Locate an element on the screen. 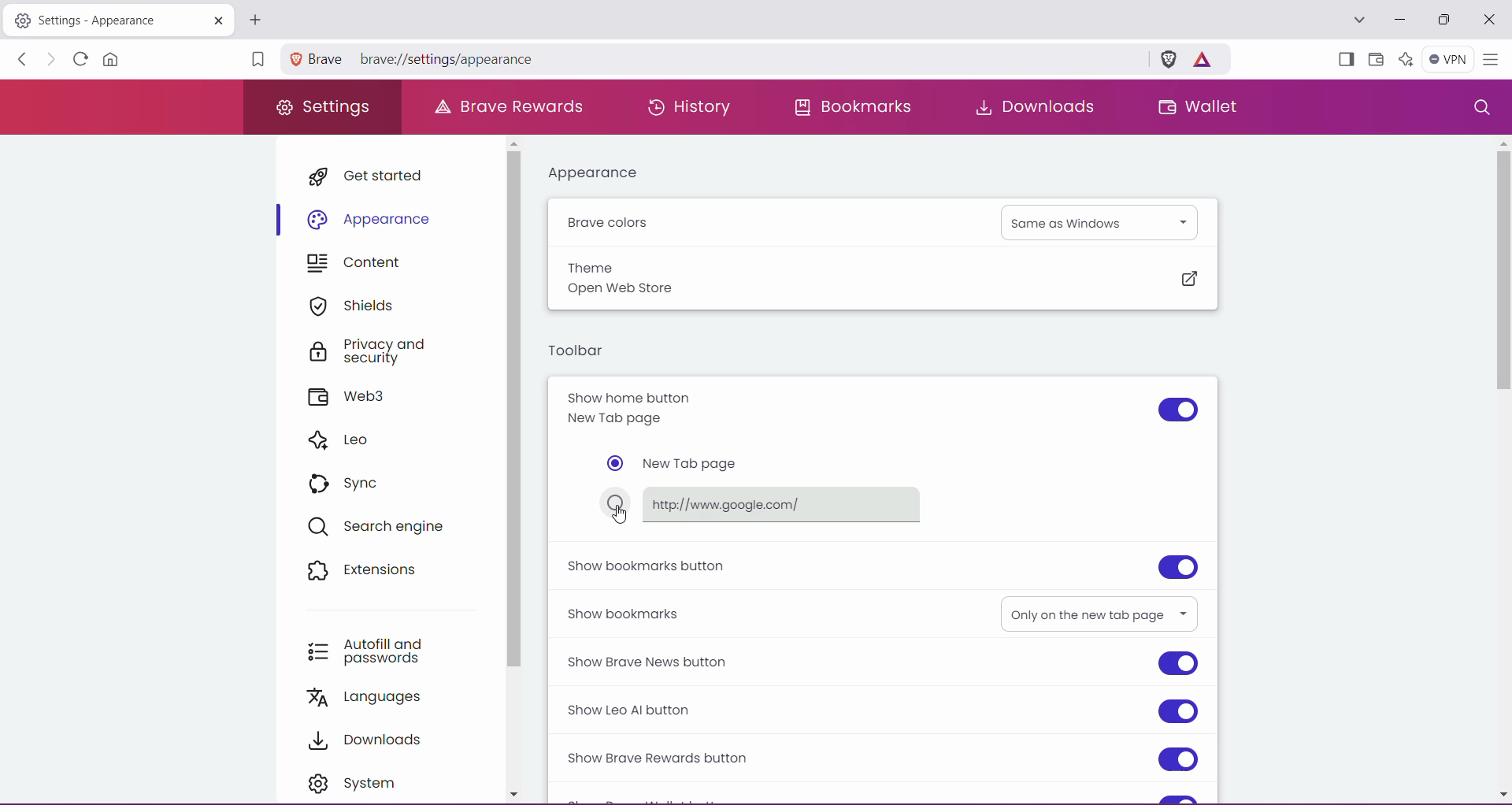 The width and height of the screenshot is (1512, 805). Sync is located at coordinates (351, 482).